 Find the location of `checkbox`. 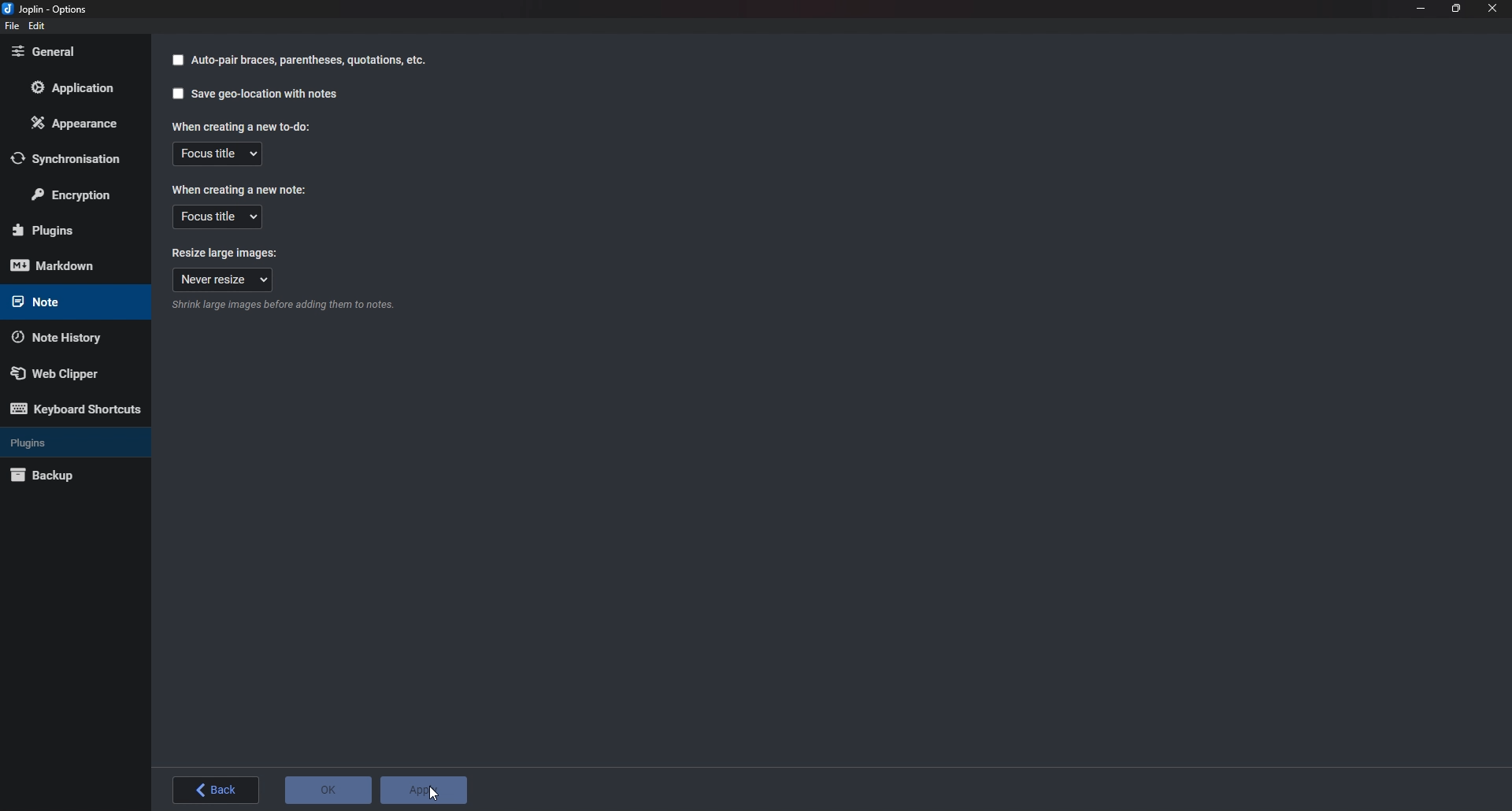

checkbox is located at coordinates (177, 61).